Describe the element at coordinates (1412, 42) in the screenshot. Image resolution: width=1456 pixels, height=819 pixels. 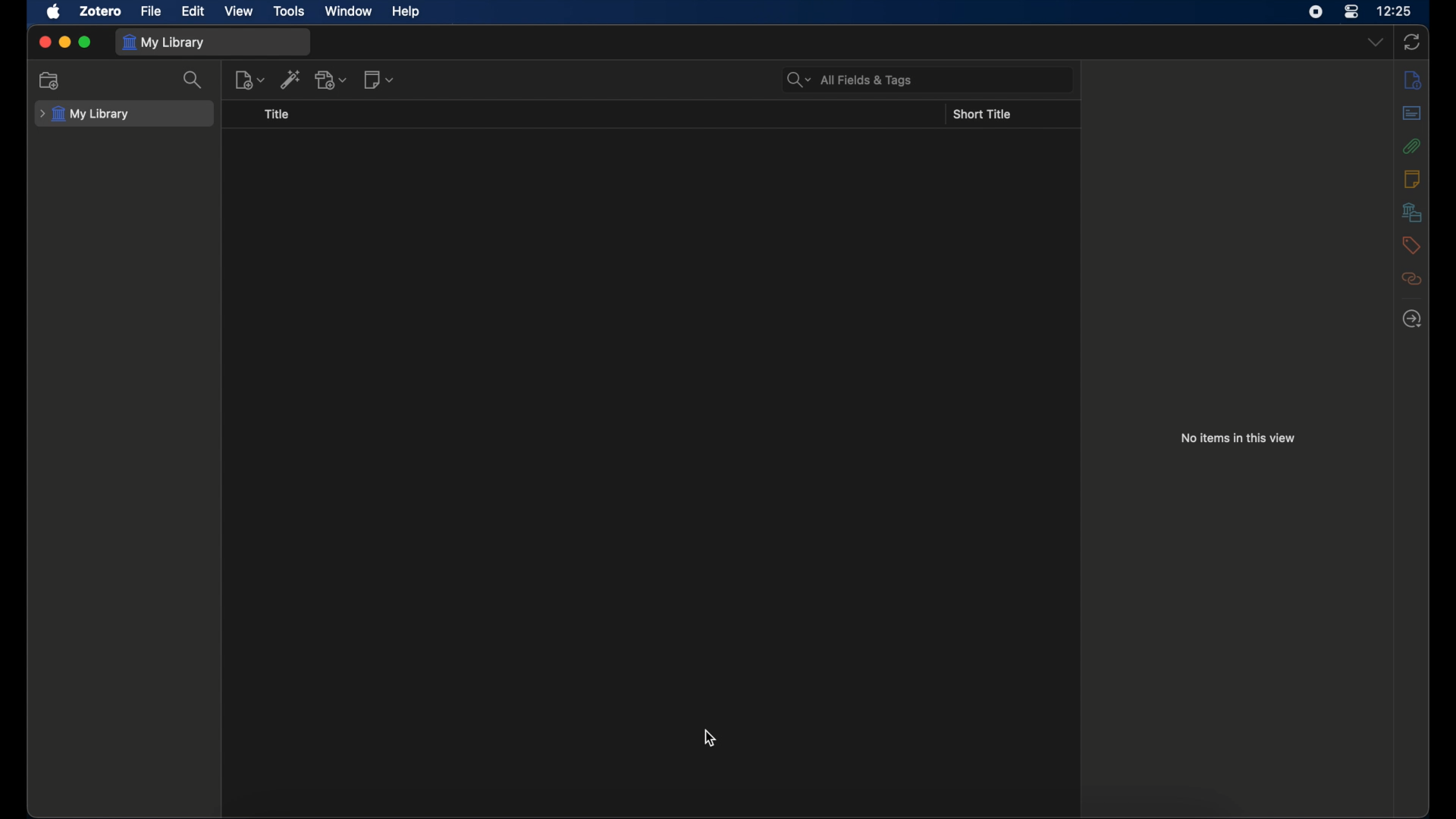
I see `sync` at that location.